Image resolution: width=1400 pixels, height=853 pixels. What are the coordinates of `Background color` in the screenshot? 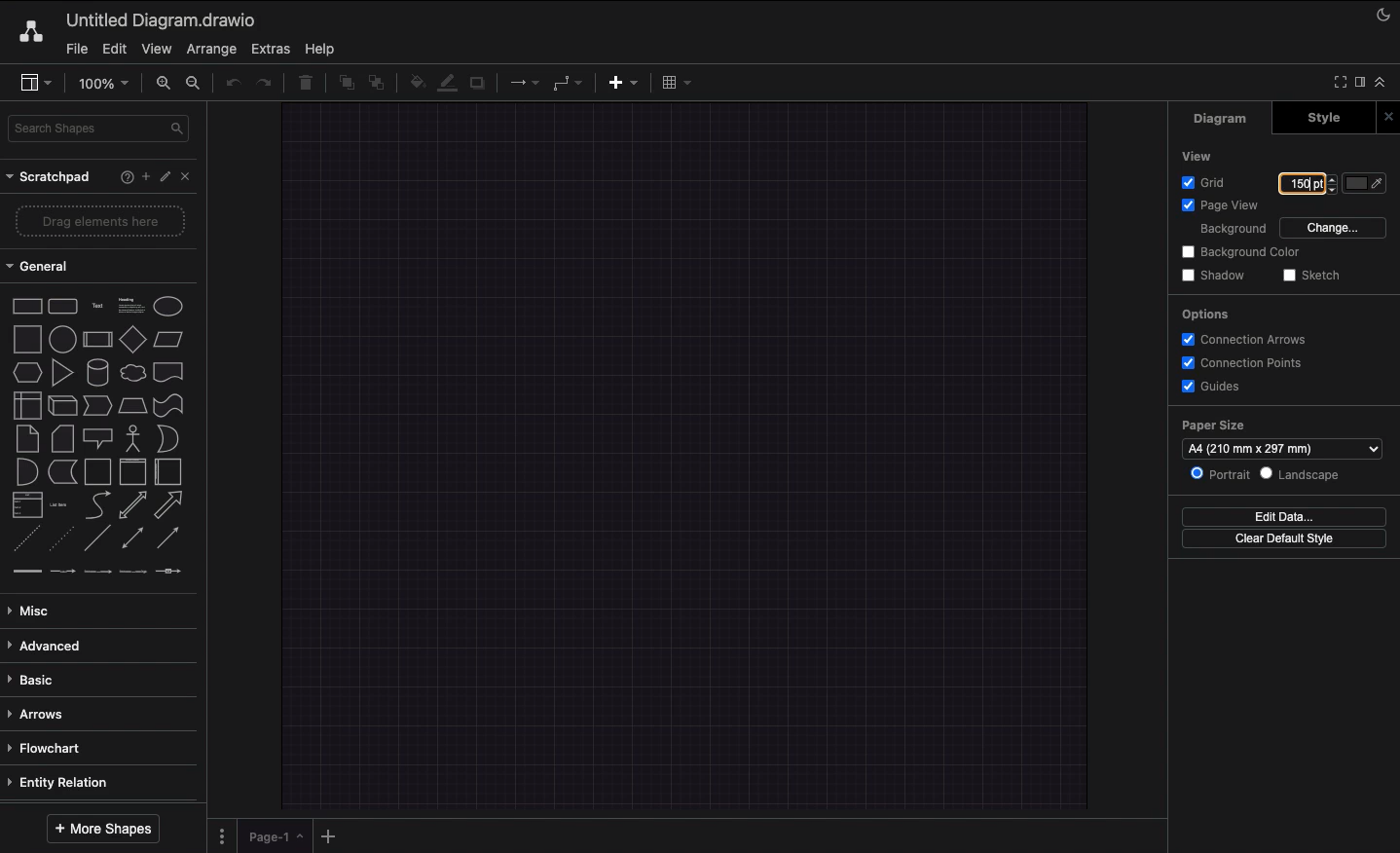 It's located at (1237, 253).